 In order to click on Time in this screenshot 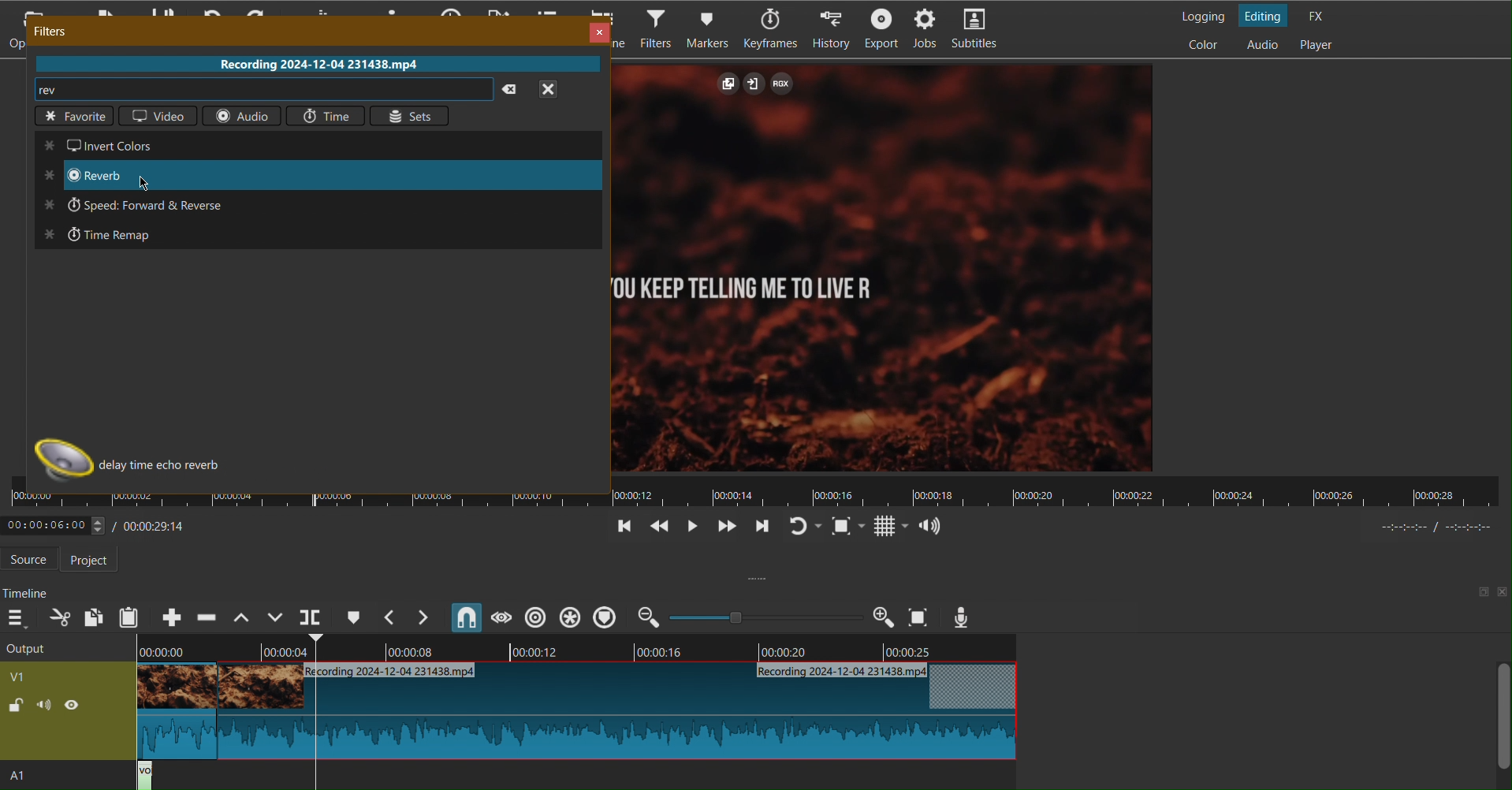, I will do `click(326, 114)`.